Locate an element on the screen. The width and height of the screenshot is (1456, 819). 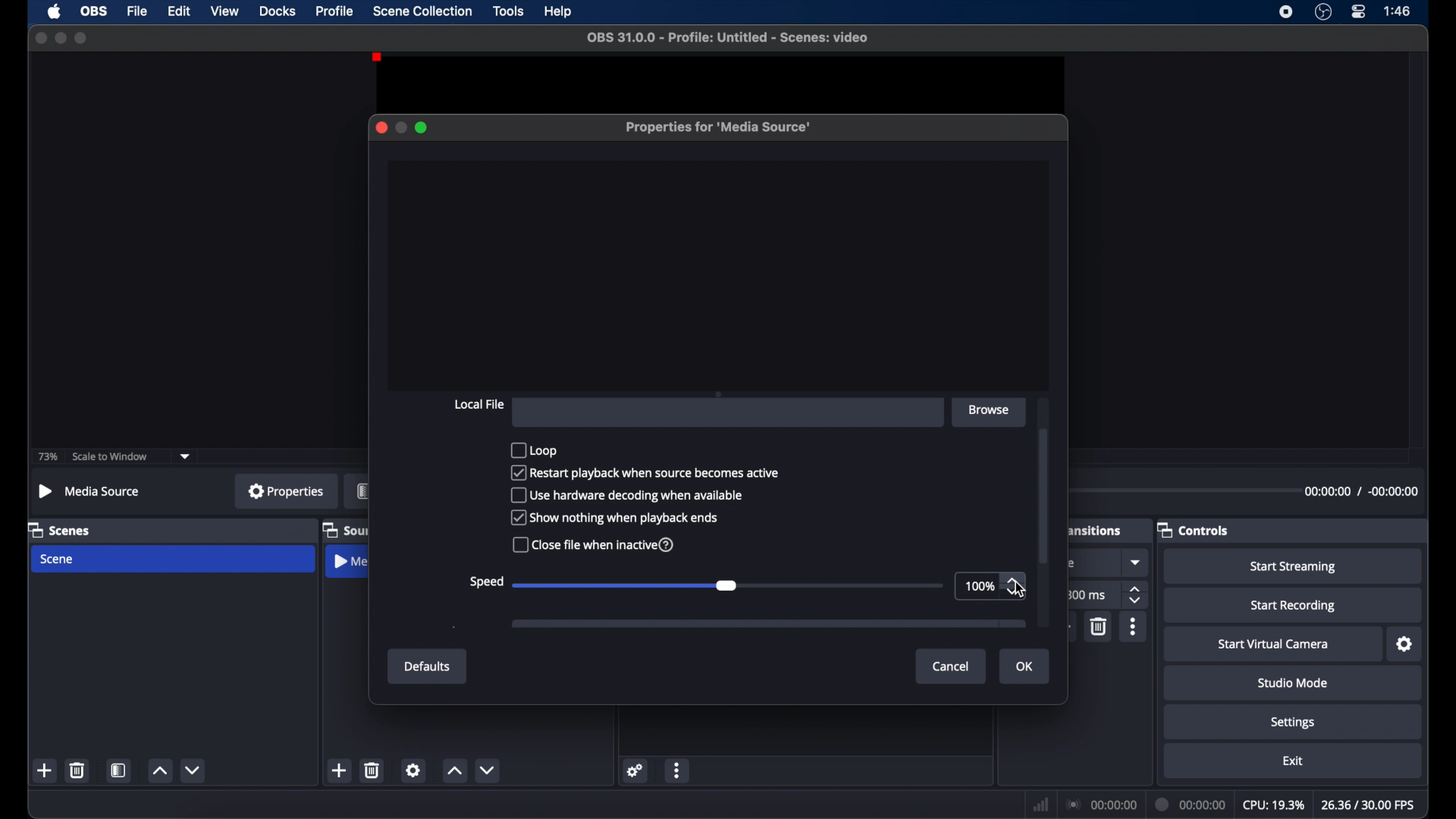
screen recorder icon is located at coordinates (1286, 12).